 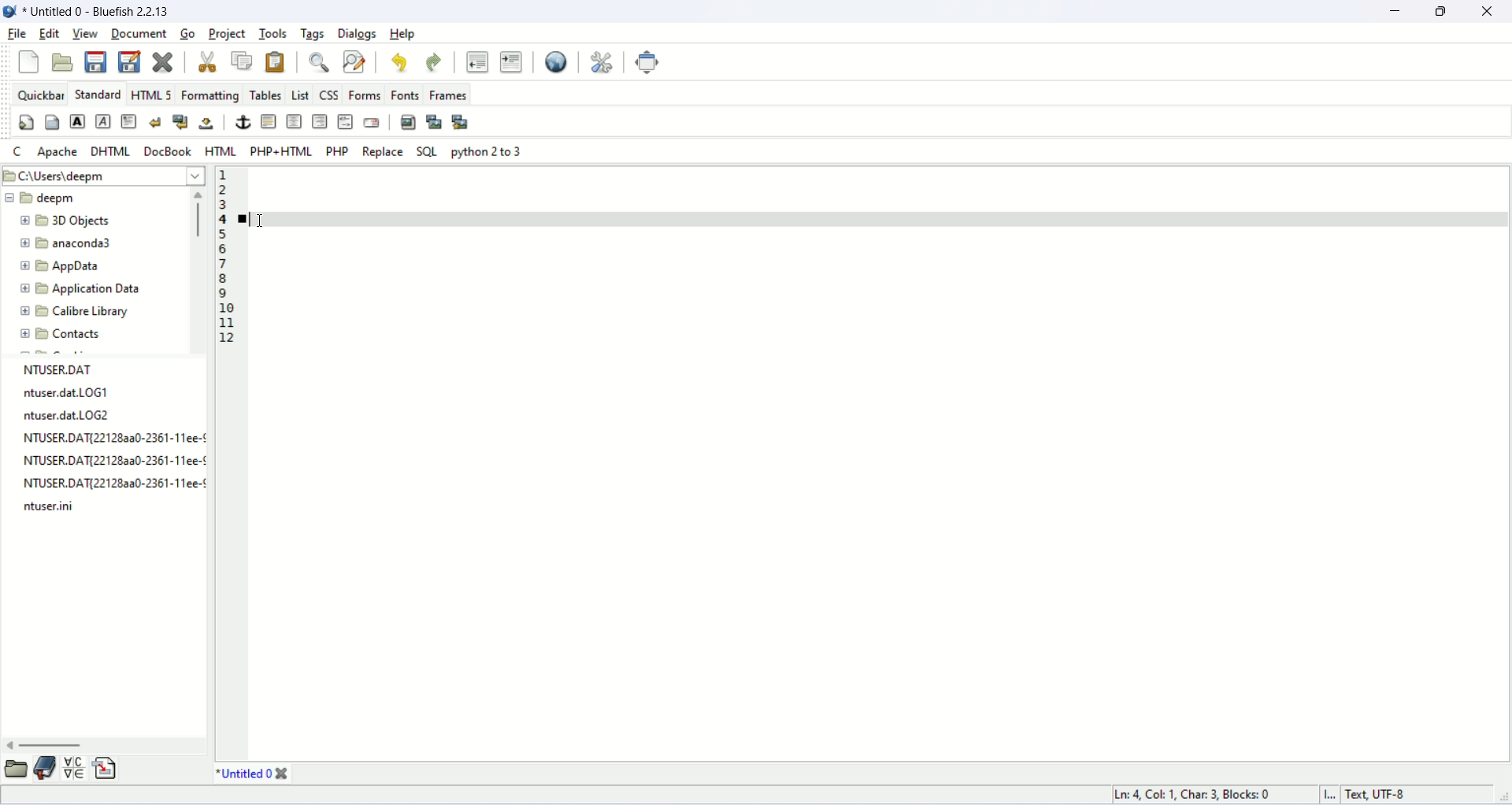 What do you see at coordinates (295, 121) in the screenshot?
I see `center` at bounding box center [295, 121].